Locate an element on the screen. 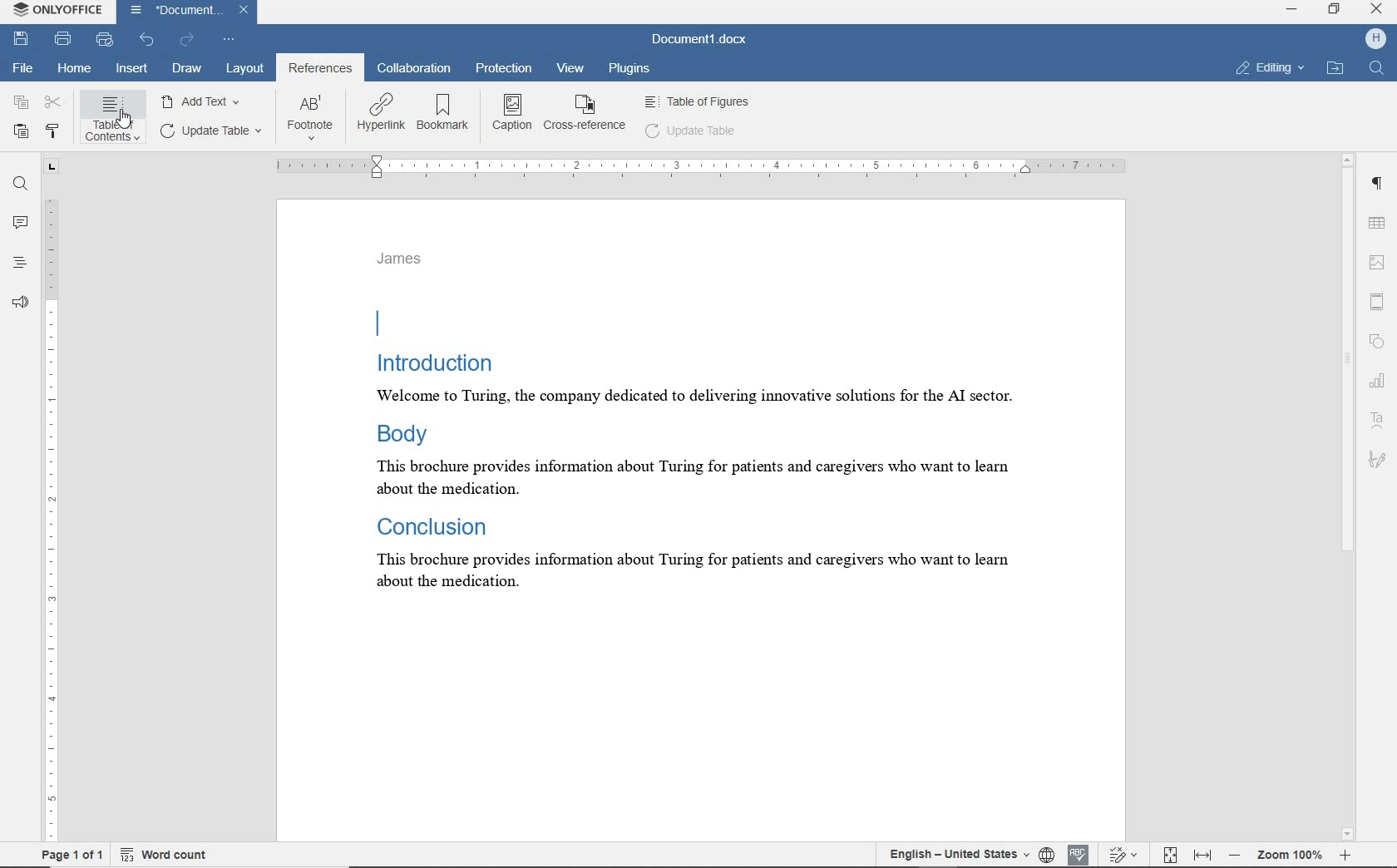 This screenshot has height=868, width=1397. plugins is located at coordinates (628, 67).